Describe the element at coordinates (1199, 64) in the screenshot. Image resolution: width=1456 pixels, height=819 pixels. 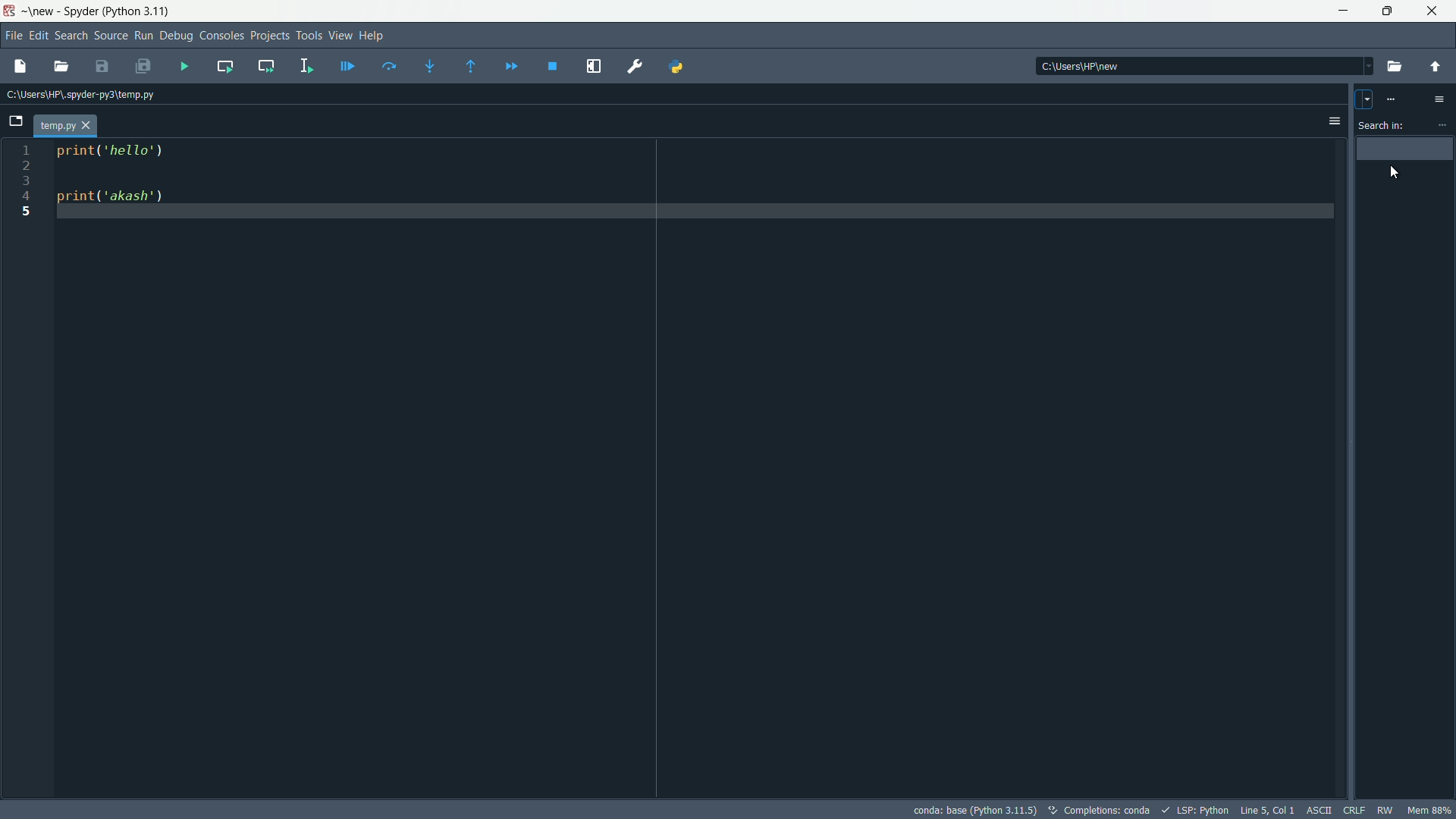
I see `C:\Users\HP\new` at that location.